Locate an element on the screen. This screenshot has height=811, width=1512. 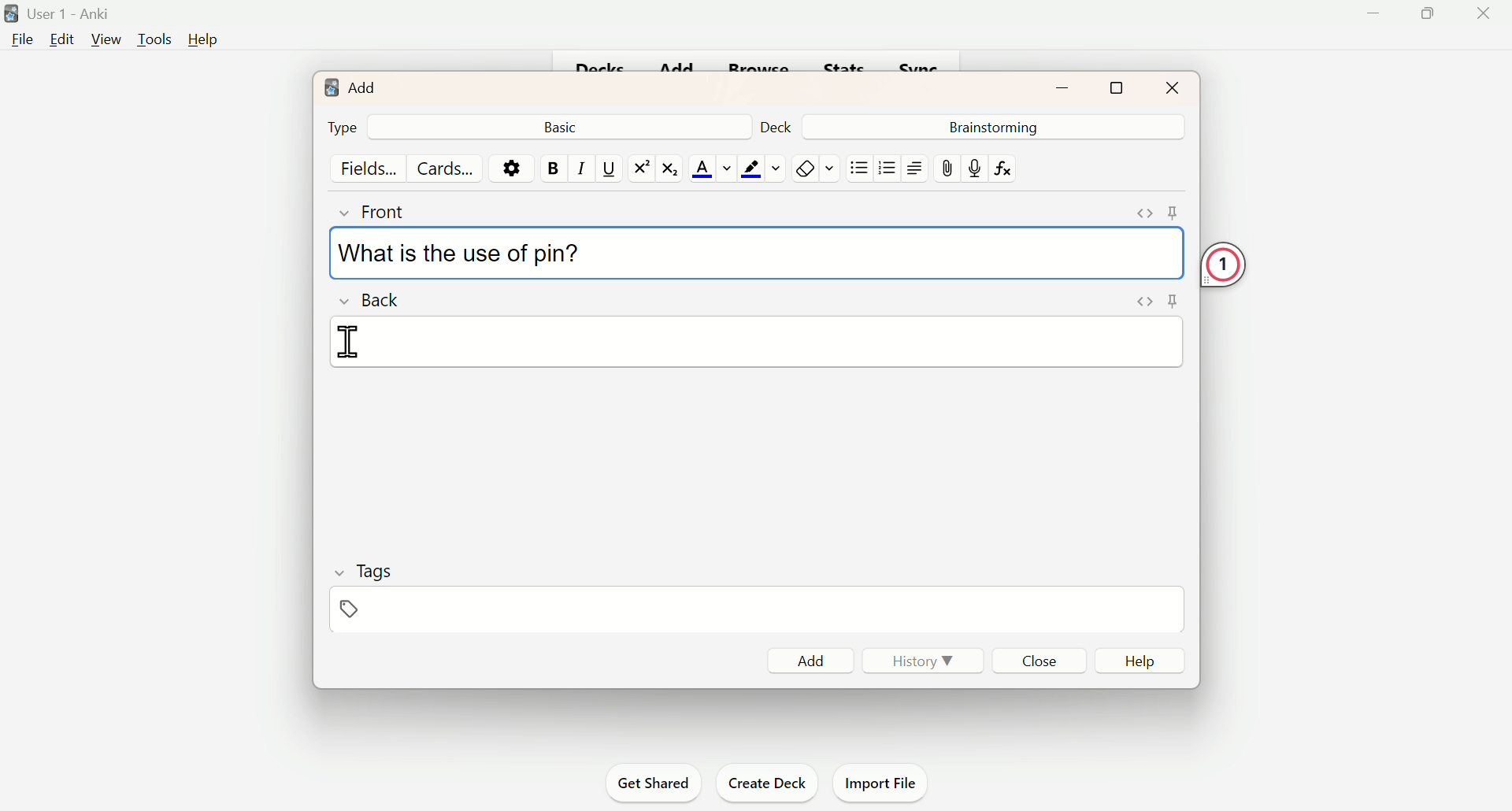
 is located at coordinates (207, 39).